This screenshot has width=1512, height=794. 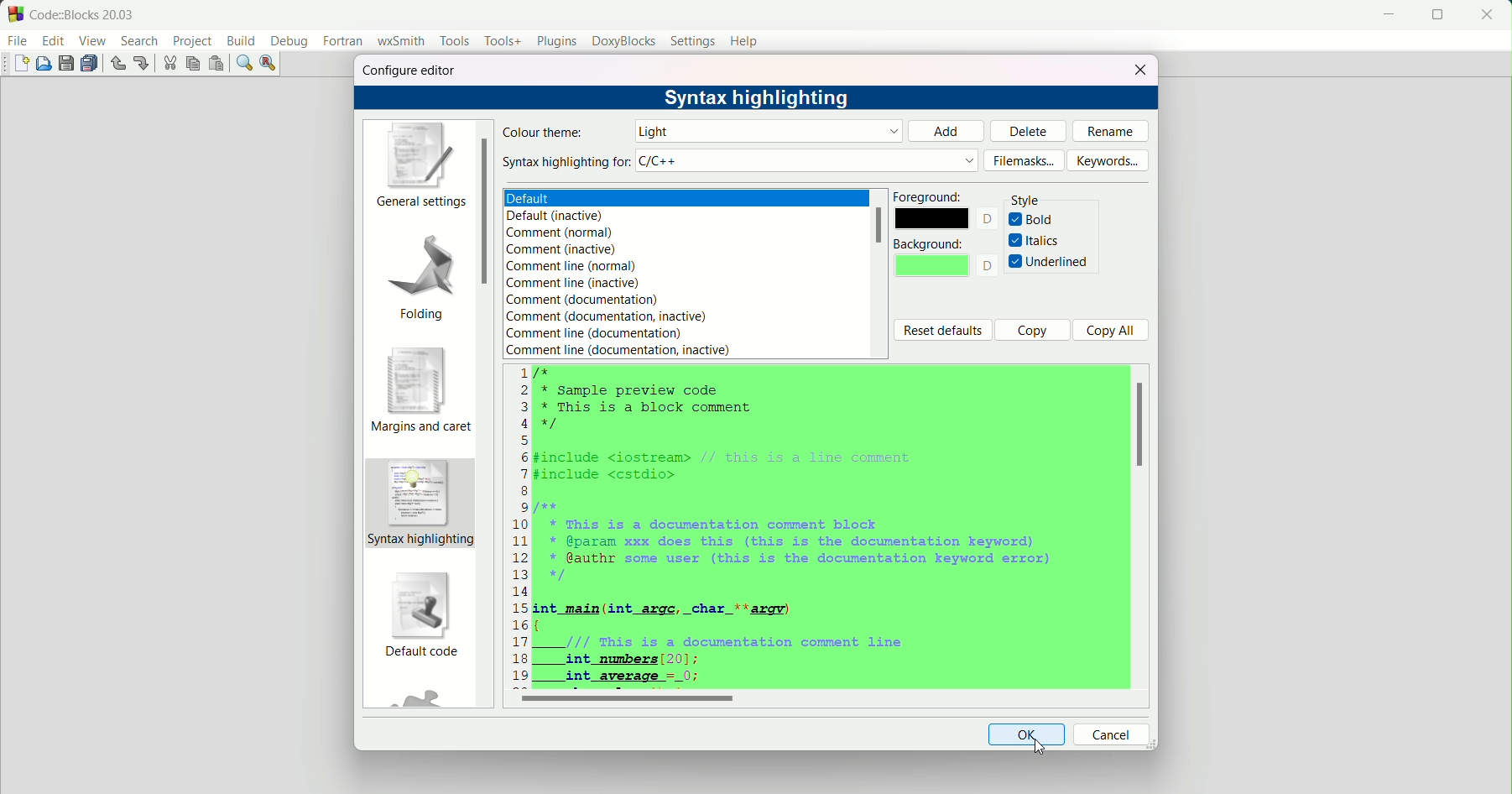 What do you see at coordinates (422, 275) in the screenshot?
I see `folding` at bounding box center [422, 275].